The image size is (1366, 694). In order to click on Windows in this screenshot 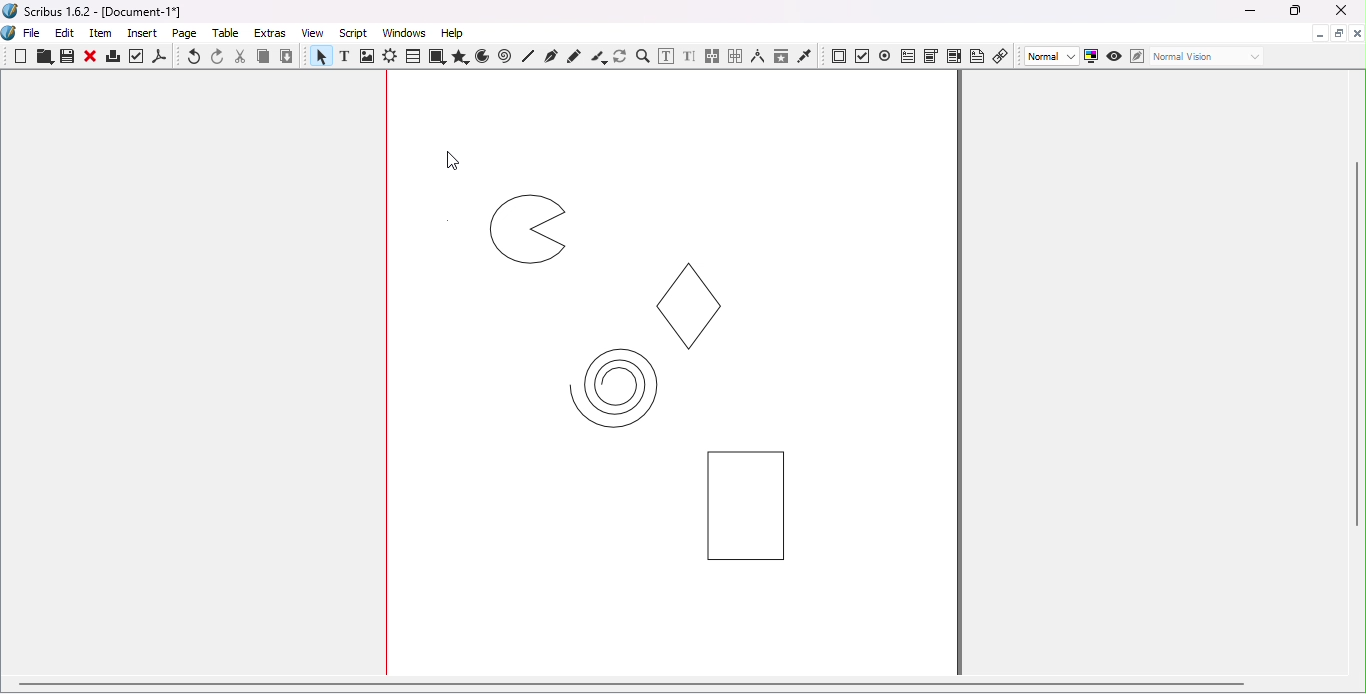, I will do `click(404, 33)`.